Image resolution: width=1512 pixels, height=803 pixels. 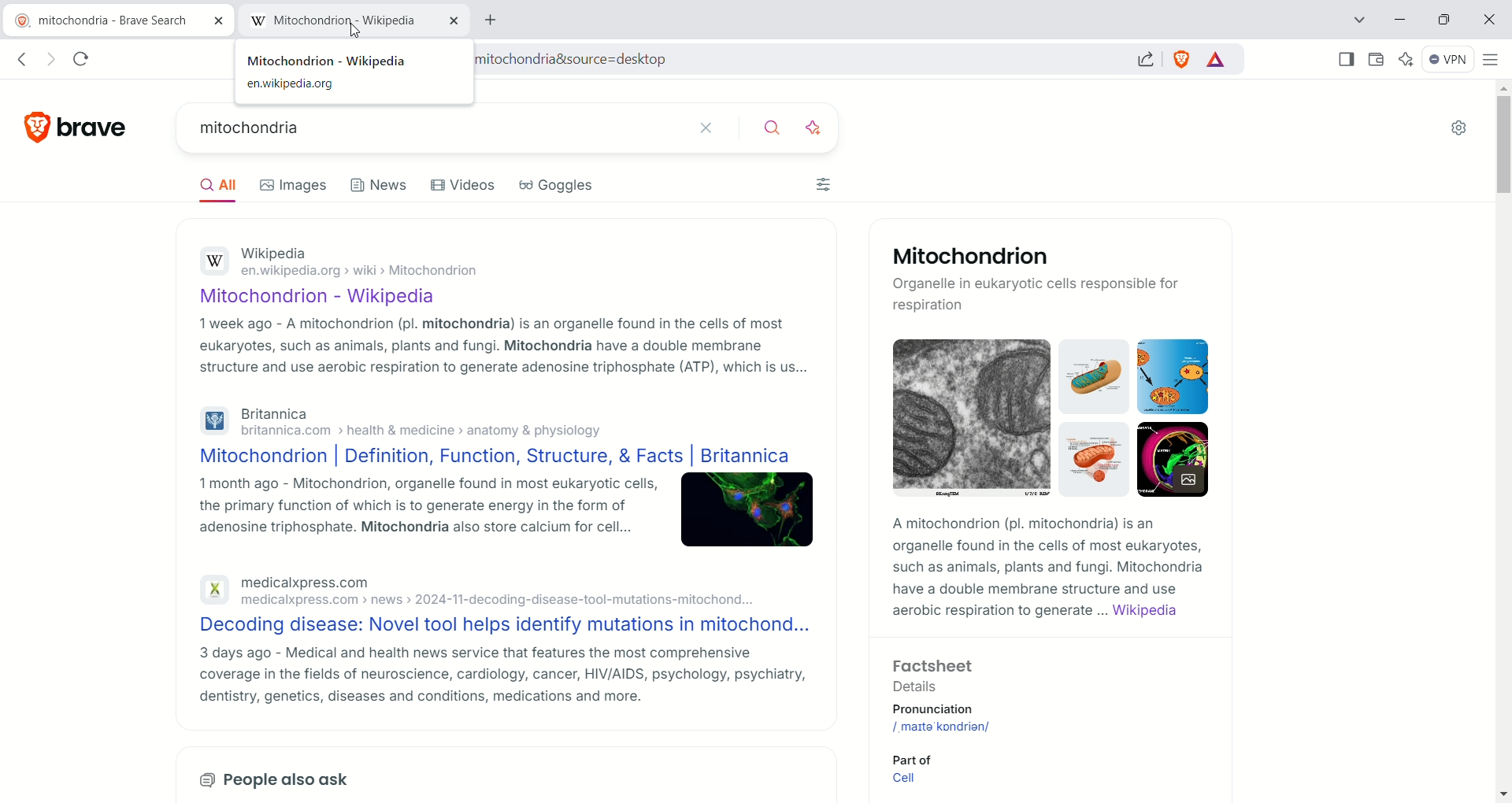 I want to click on close, so click(x=708, y=129).